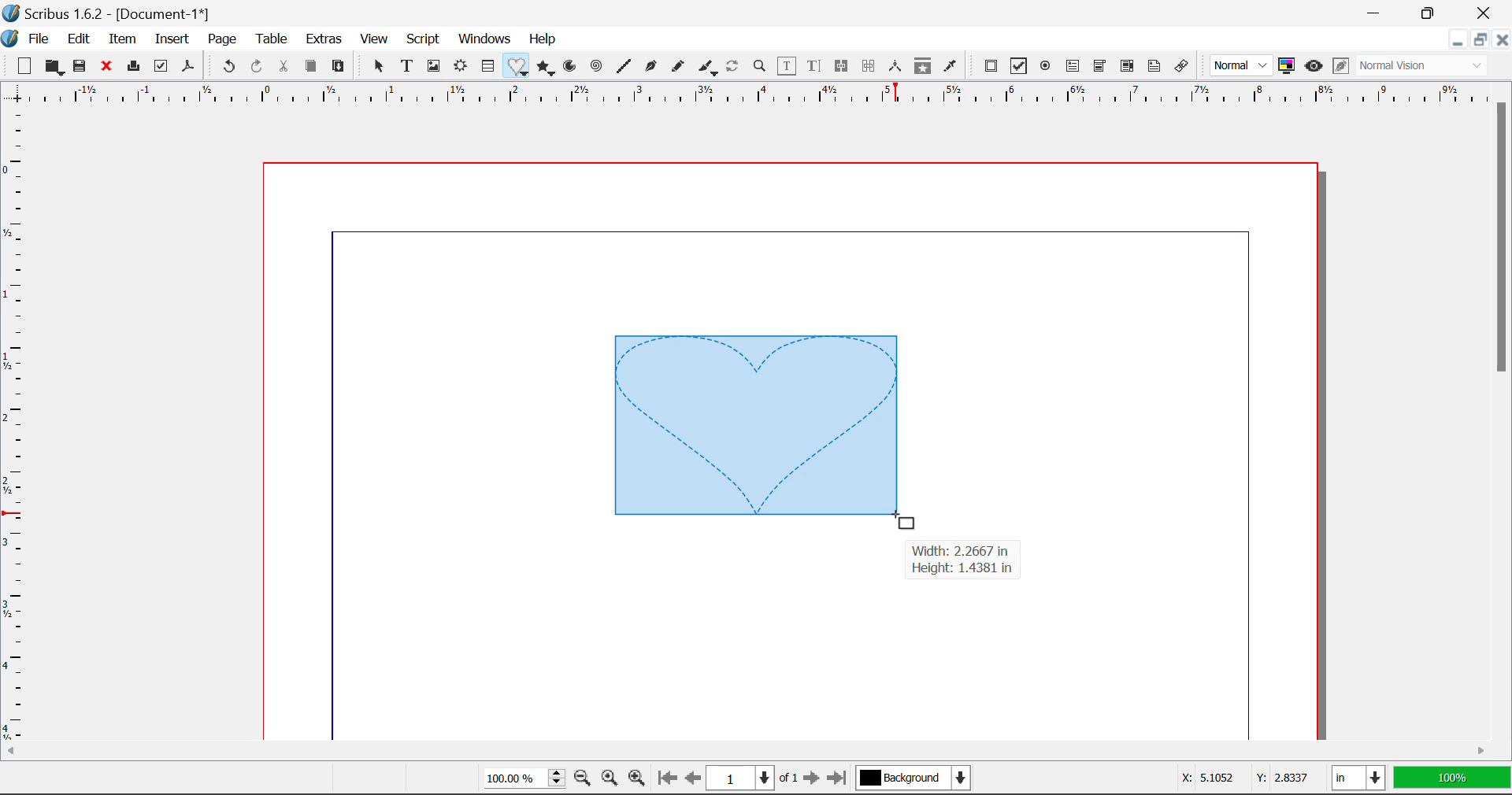  Describe the element at coordinates (788, 66) in the screenshot. I see `Edit Contents in Frame` at that location.